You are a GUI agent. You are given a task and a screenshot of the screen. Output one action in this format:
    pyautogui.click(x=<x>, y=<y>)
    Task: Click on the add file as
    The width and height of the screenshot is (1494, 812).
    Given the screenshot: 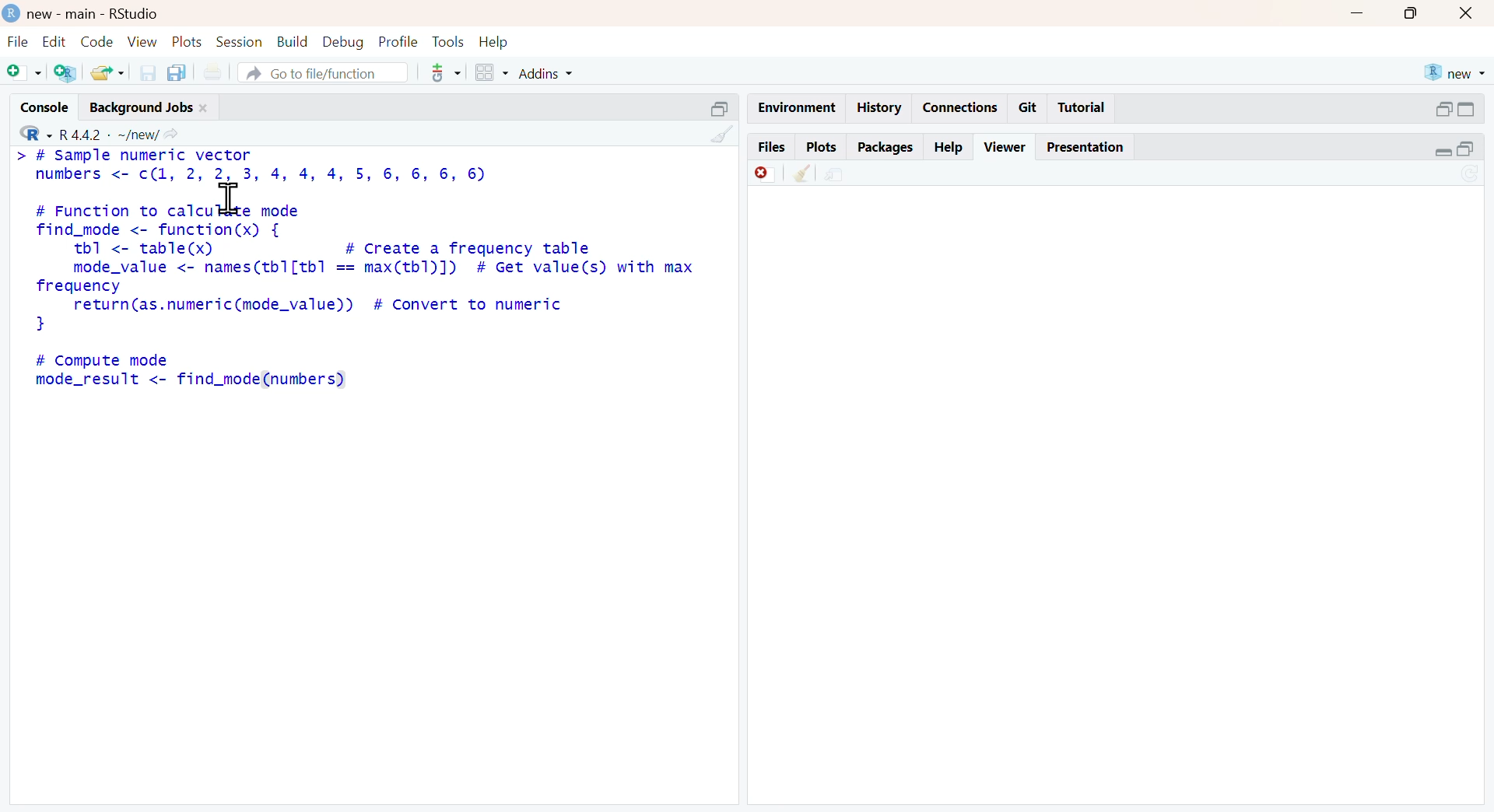 What is the action you would take?
    pyautogui.click(x=26, y=73)
    